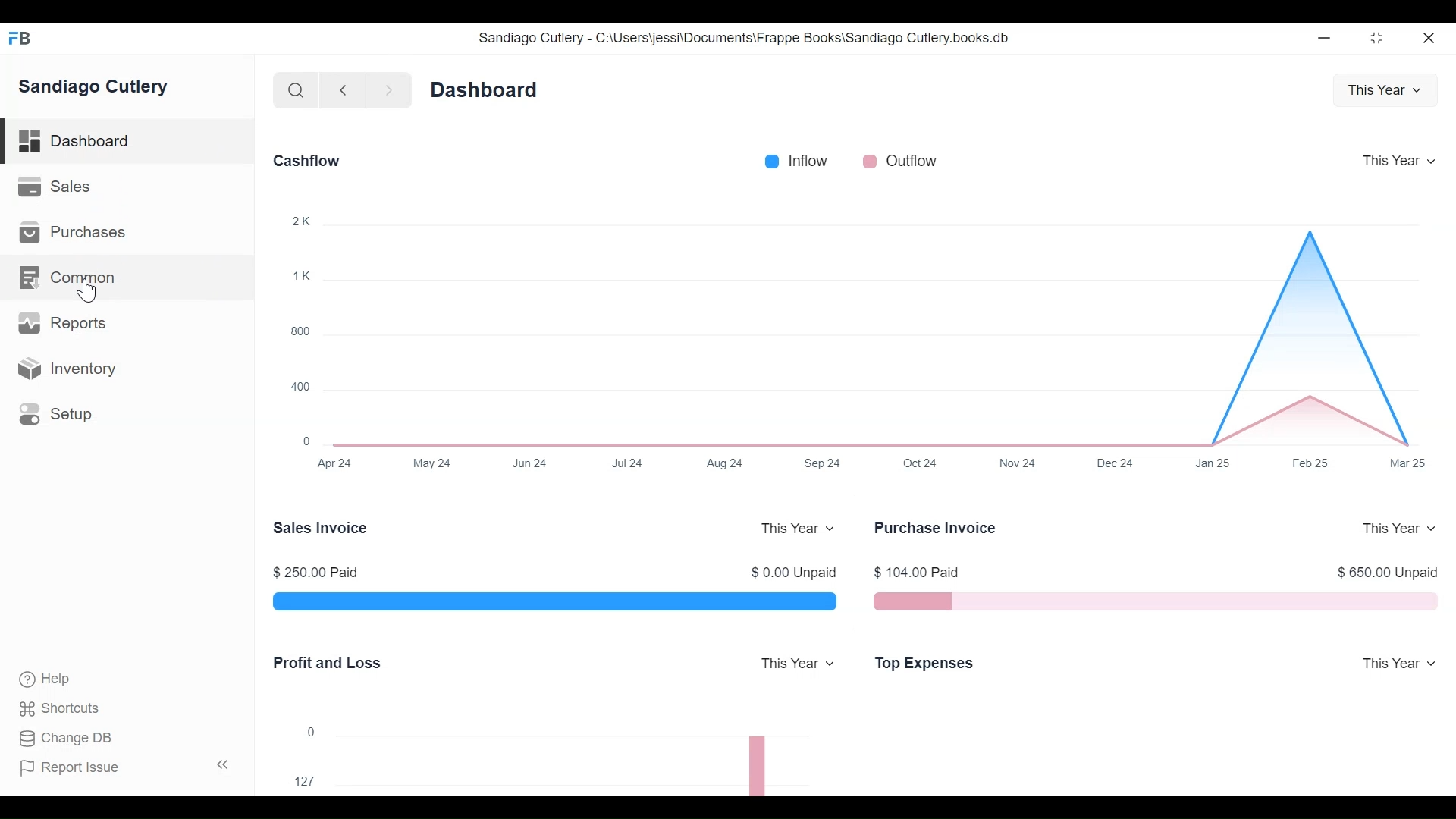 This screenshot has width=1456, height=819. What do you see at coordinates (52, 709) in the screenshot?
I see `Shortcuts` at bounding box center [52, 709].